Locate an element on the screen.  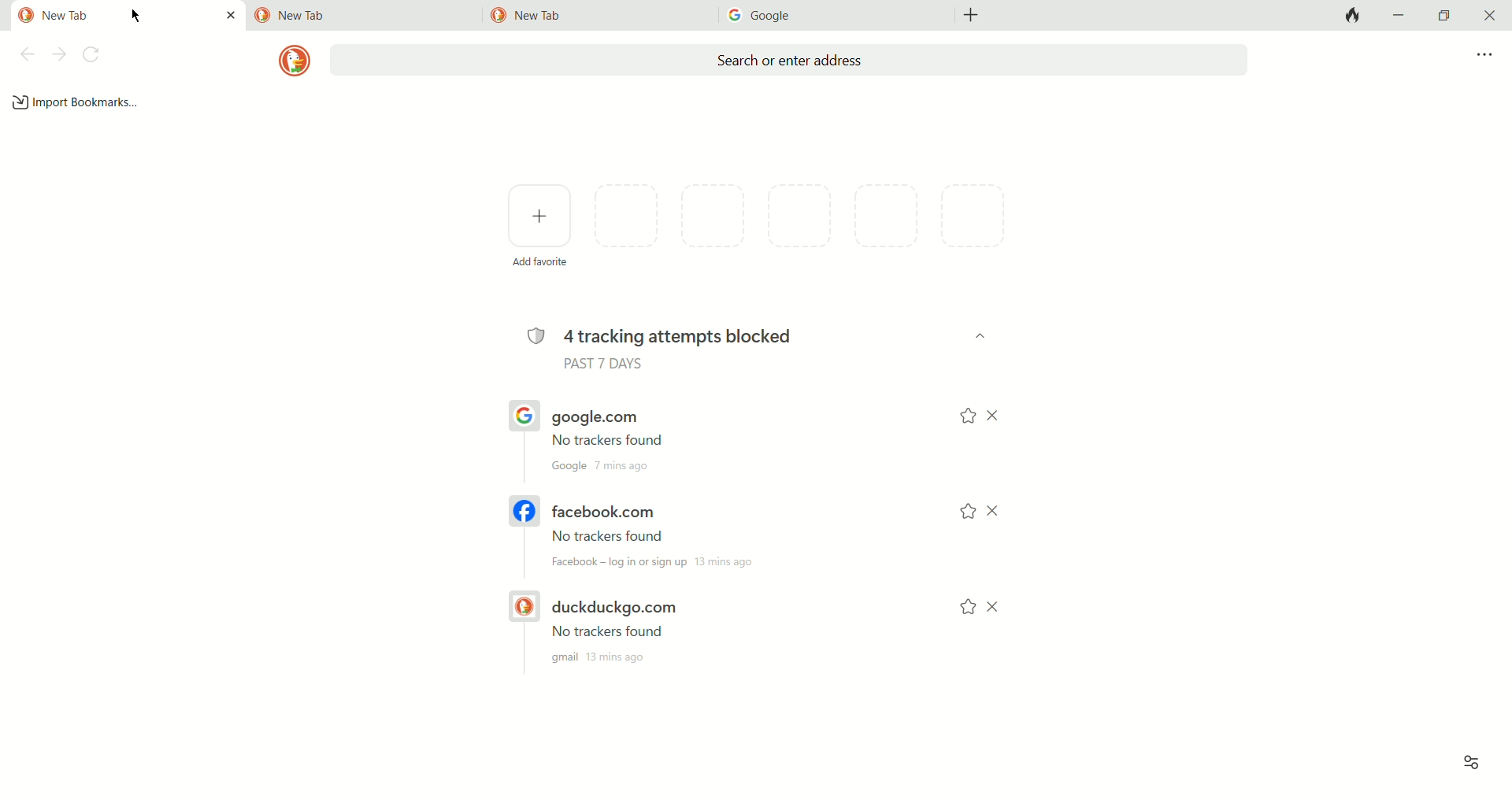
minimize is located at coordinates (1399, 15).